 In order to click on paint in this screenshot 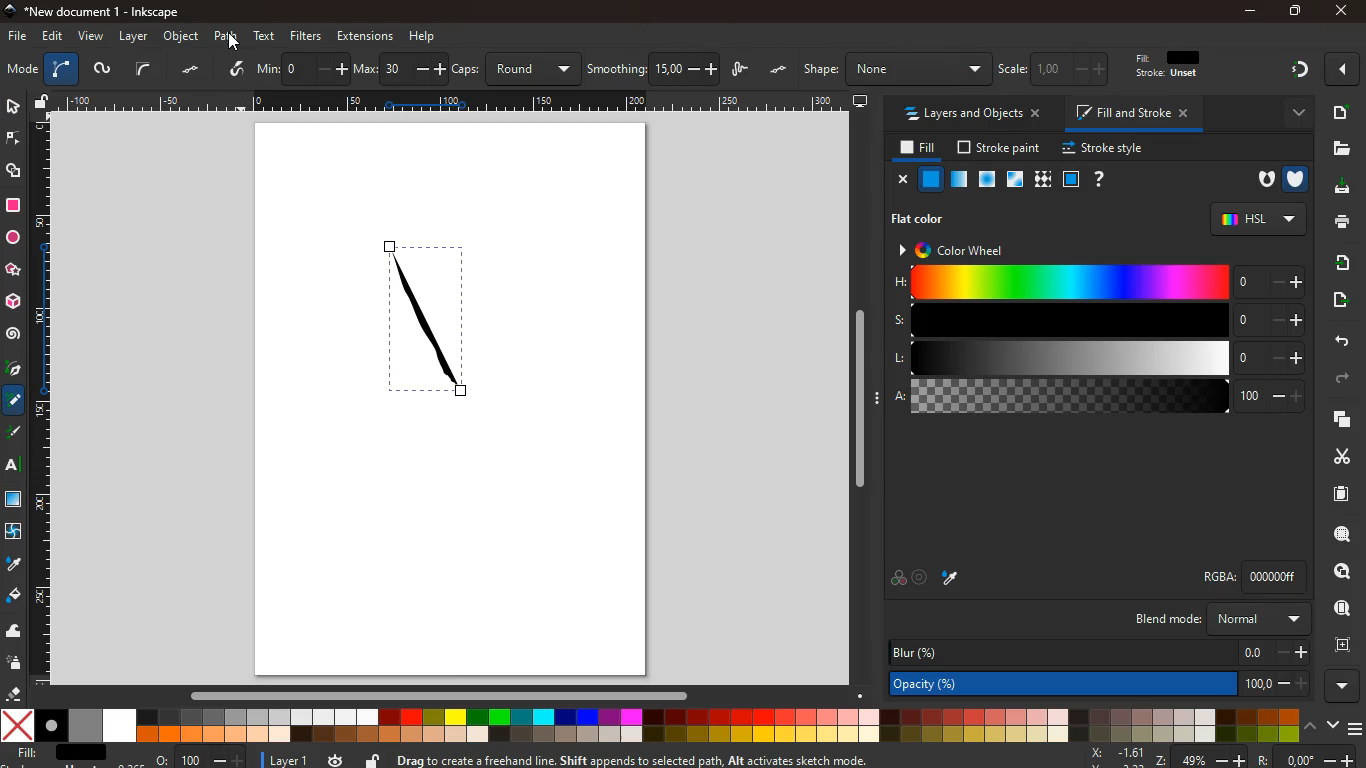, I will do `click(15, 596)`.